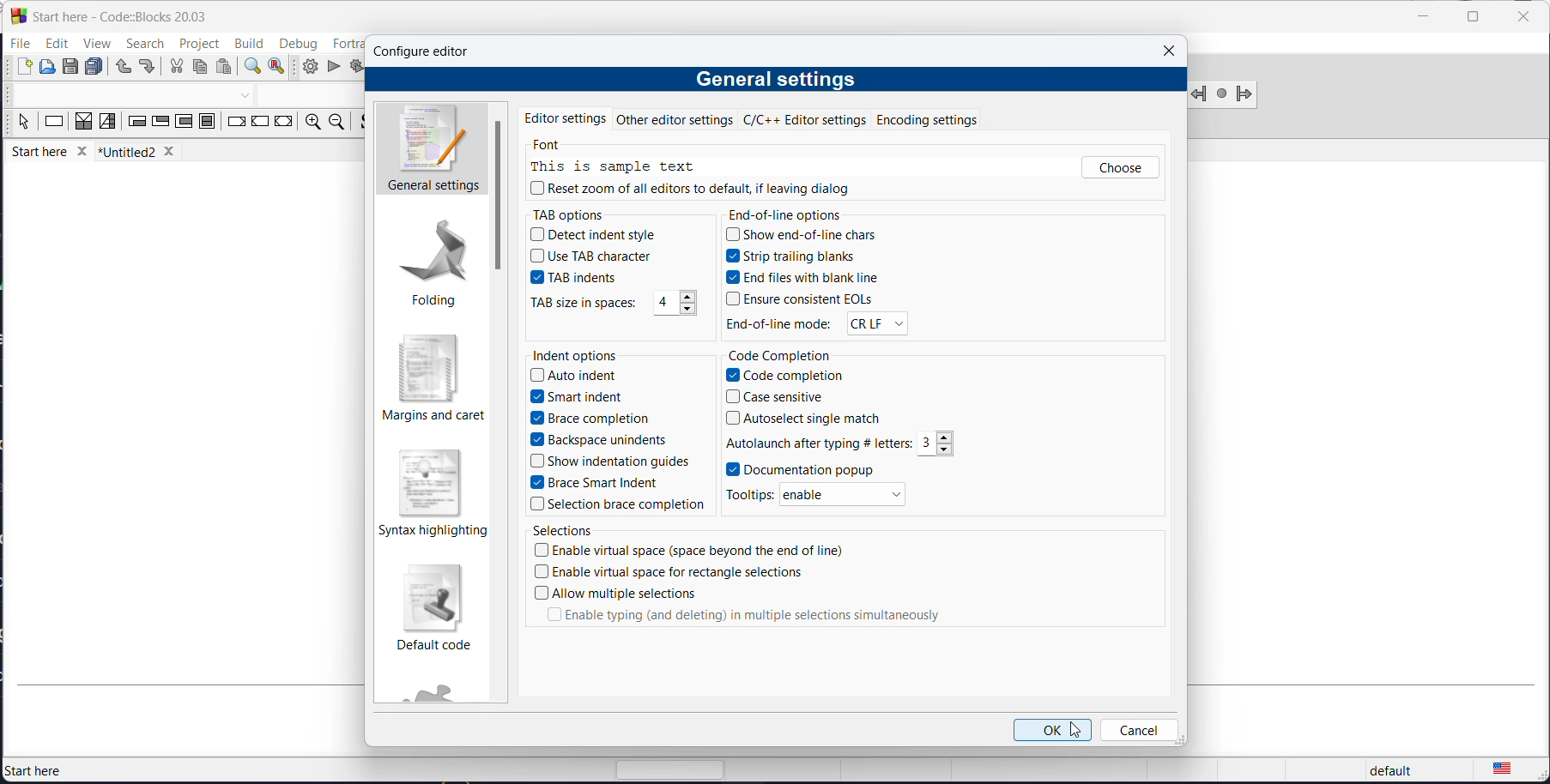  I want to click on documentation popup checkbox, so click(836, 470).